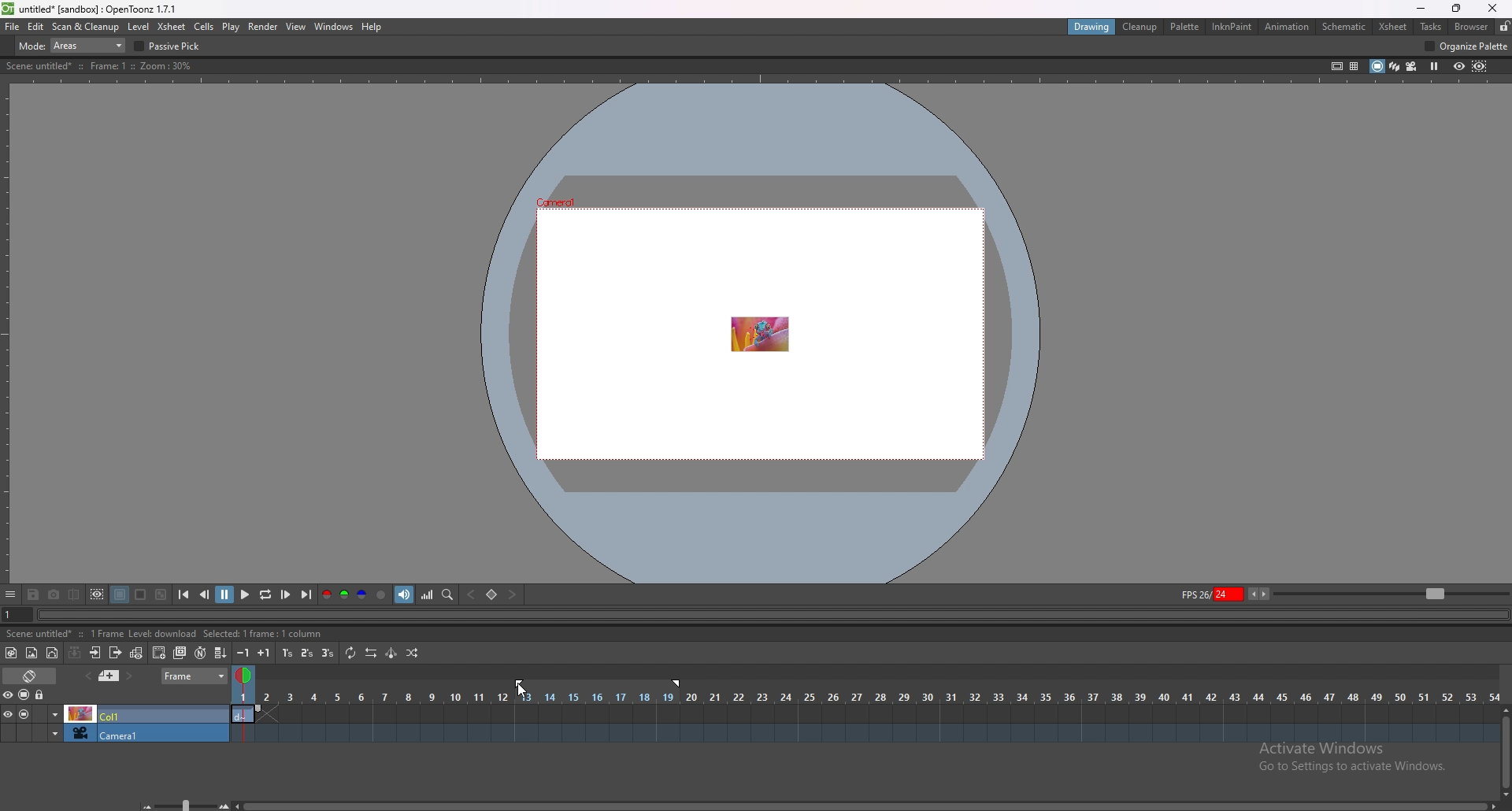  What do you see at coordinates (1504, 751) in the screenshot?
I see `scroll bar` at bounding box center [1504, 751].